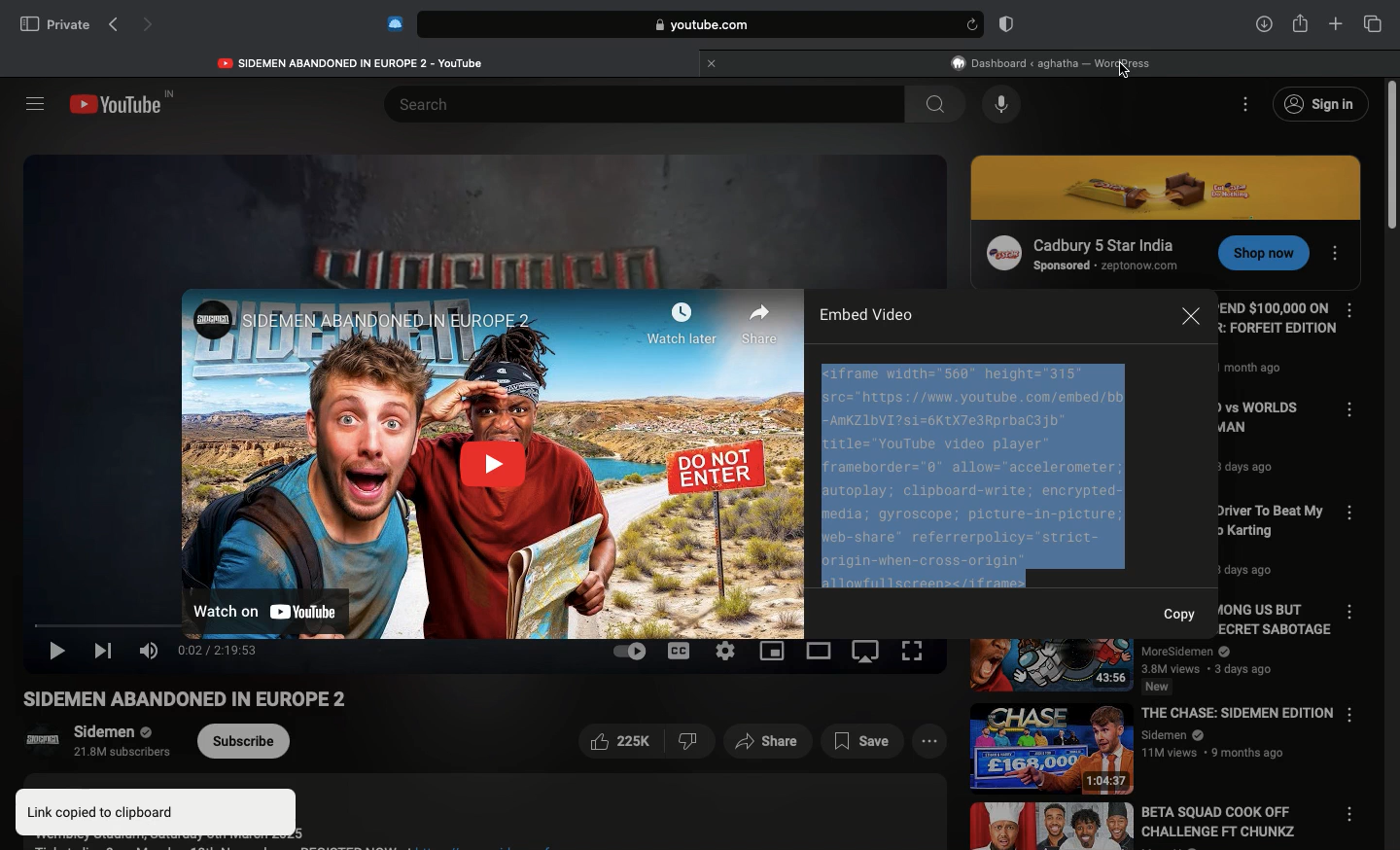 The image size is (1400, 850). What do you see at coordinates (1336, 24) in the screenshot?
I see `New tab` at bounding box center [1336, 24].